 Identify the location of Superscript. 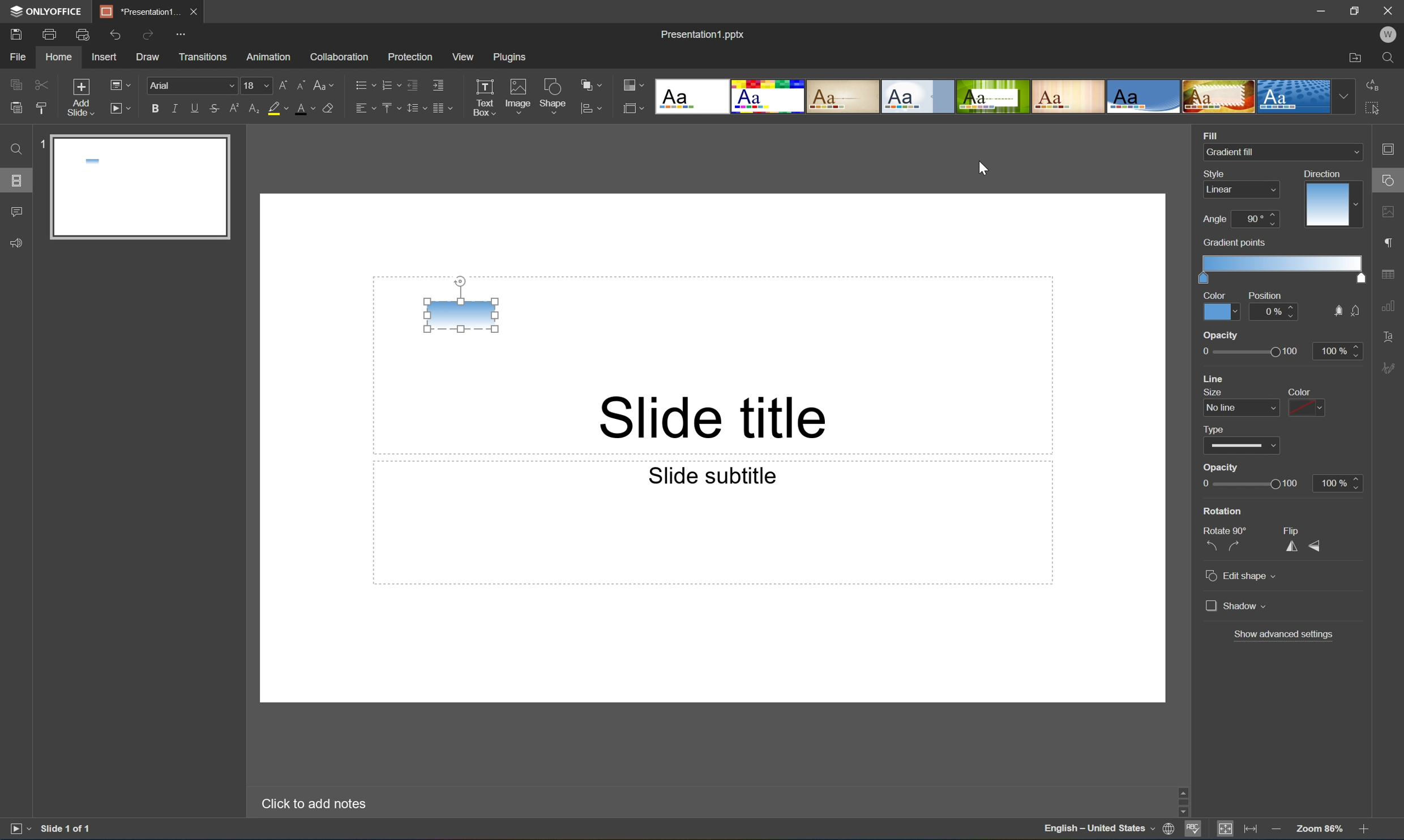
(236, 109).